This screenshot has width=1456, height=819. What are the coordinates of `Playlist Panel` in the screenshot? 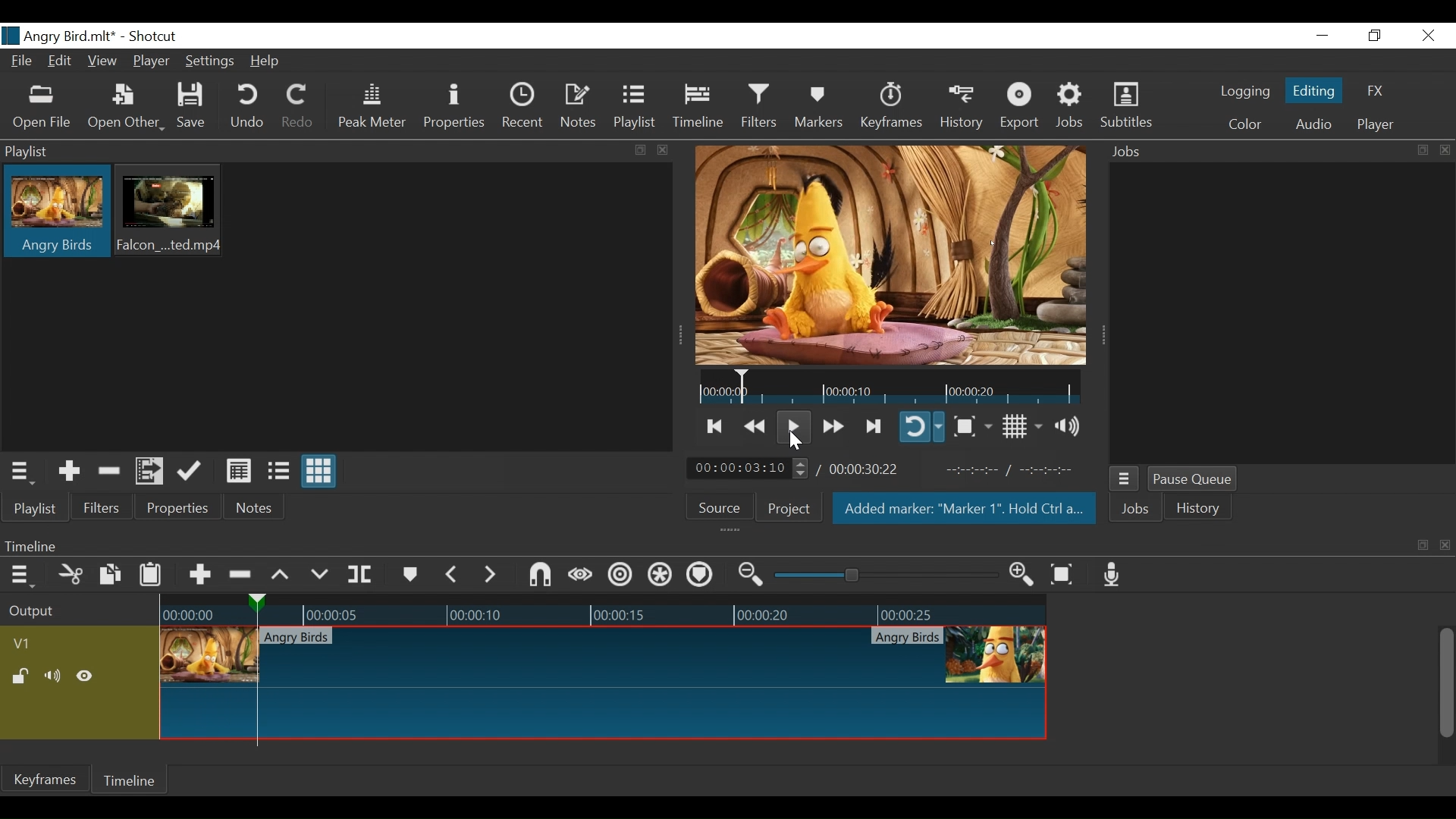 It's located at (333, 152).